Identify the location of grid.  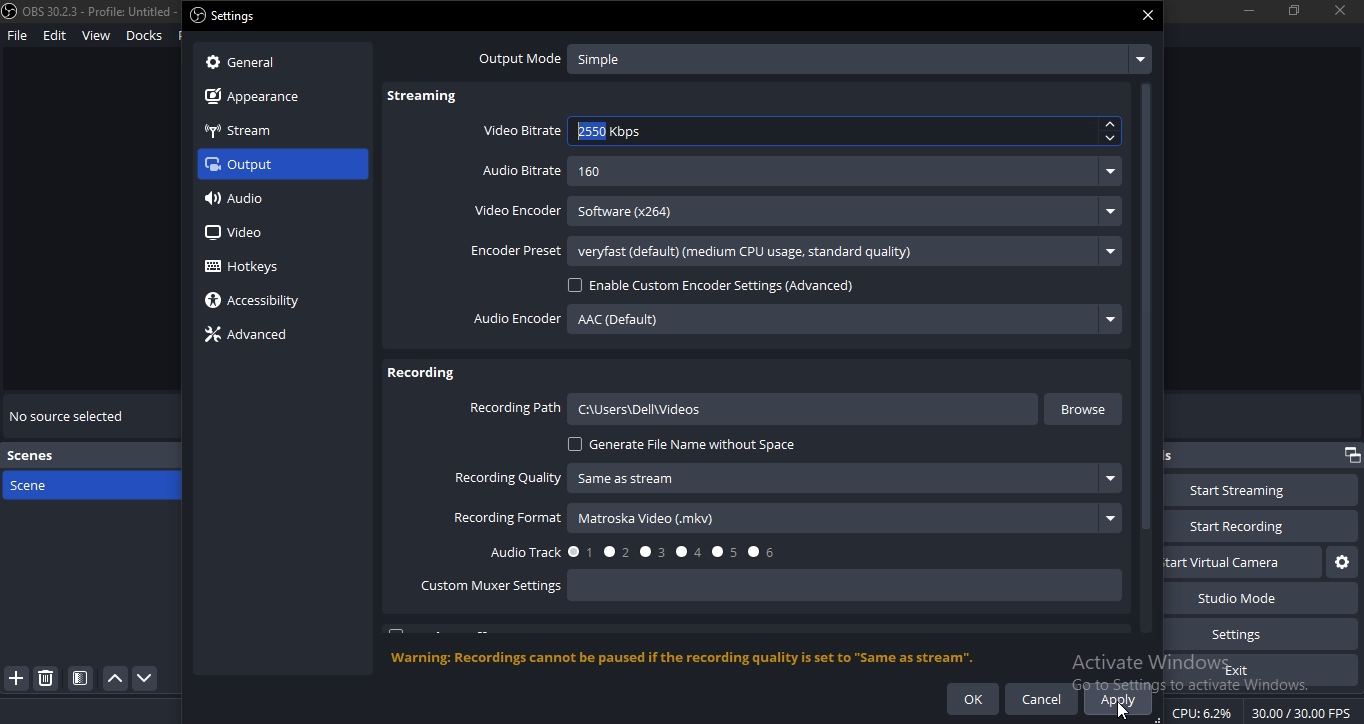
(85, 678).